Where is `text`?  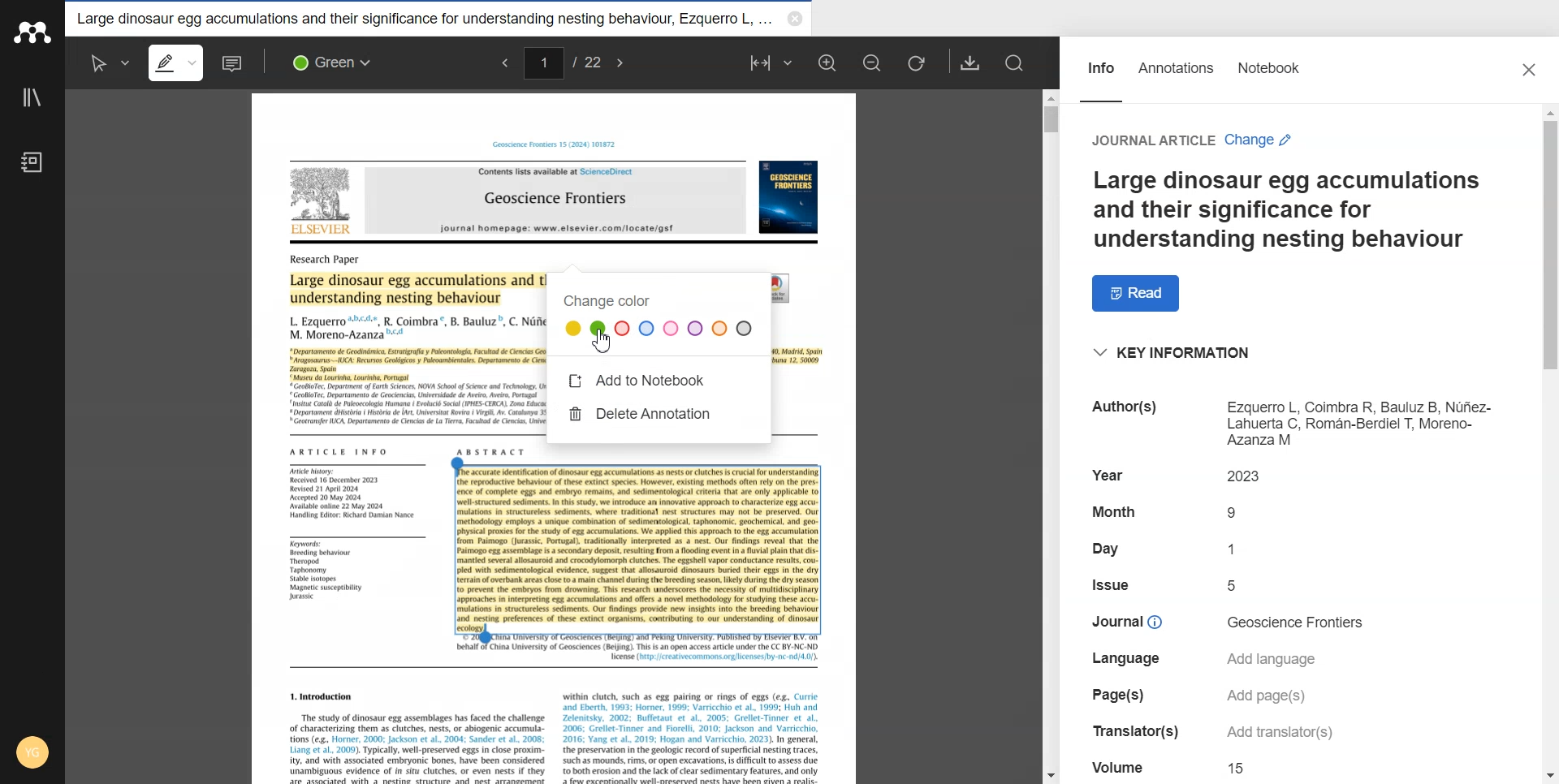
text is located at coordinates (1108, 474).